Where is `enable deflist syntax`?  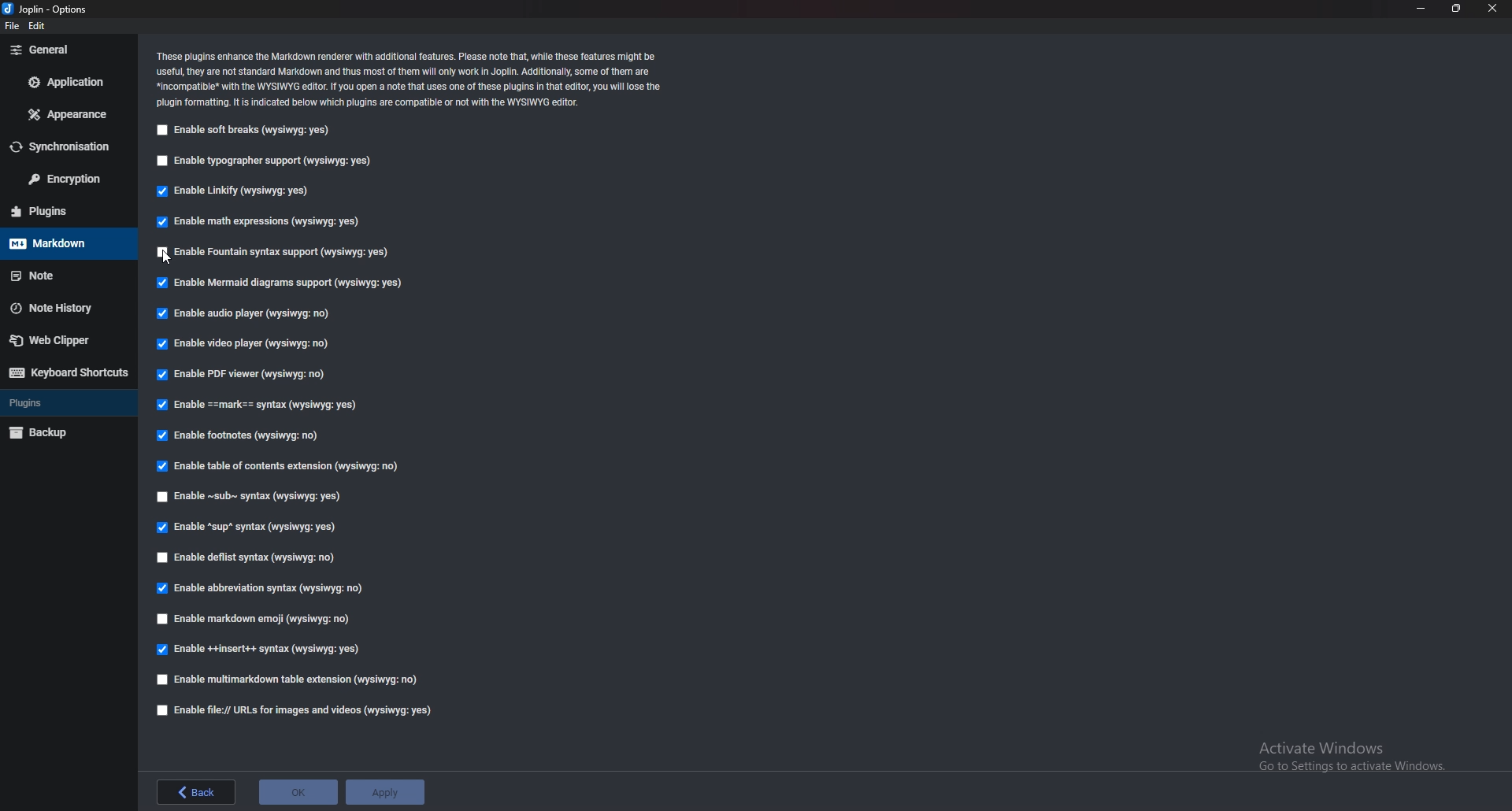 enable deflist syntax is located at coordinates (246, 558).